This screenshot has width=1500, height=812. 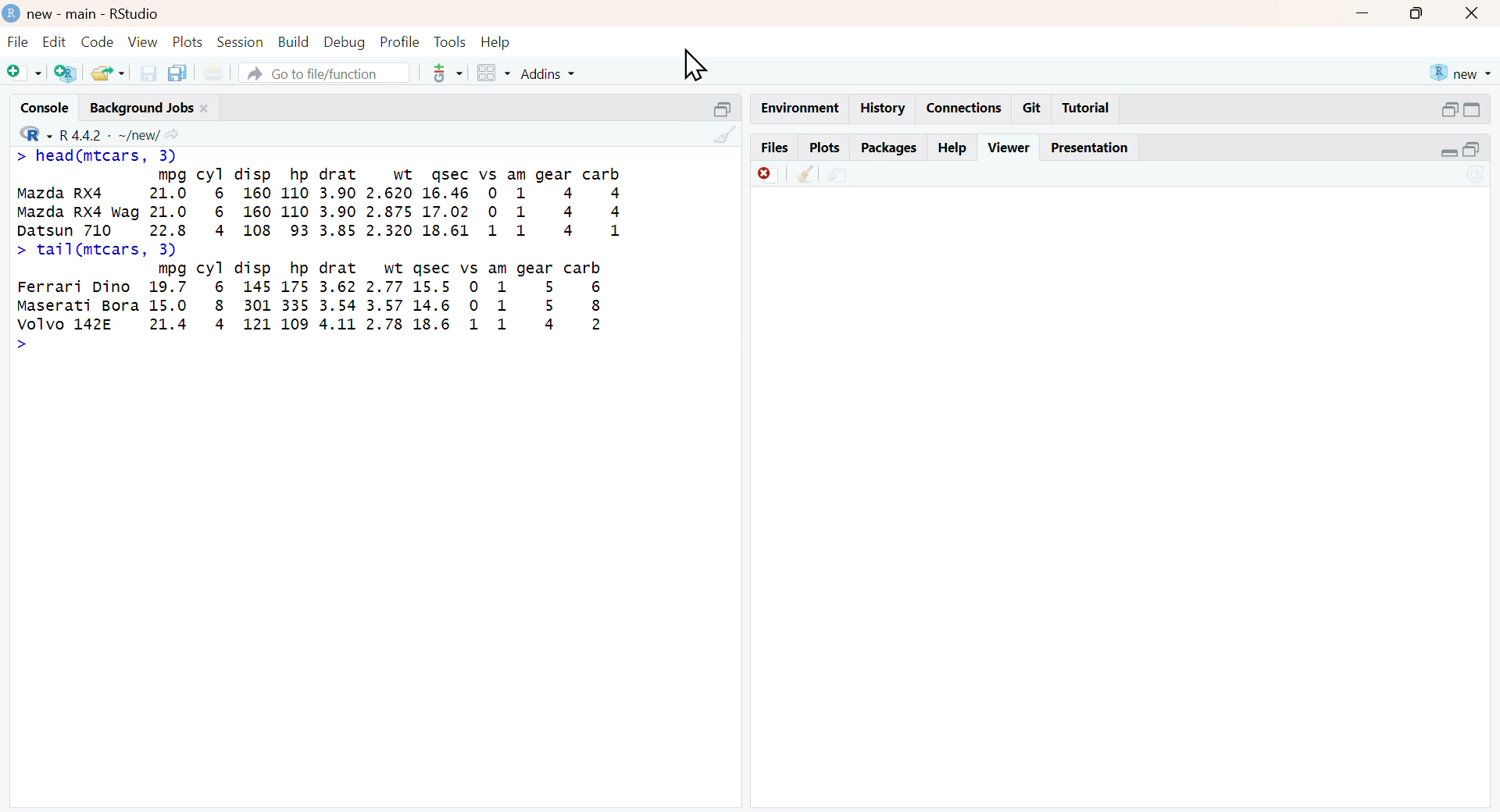 I want to click on Help, so click(x=503, y=40).